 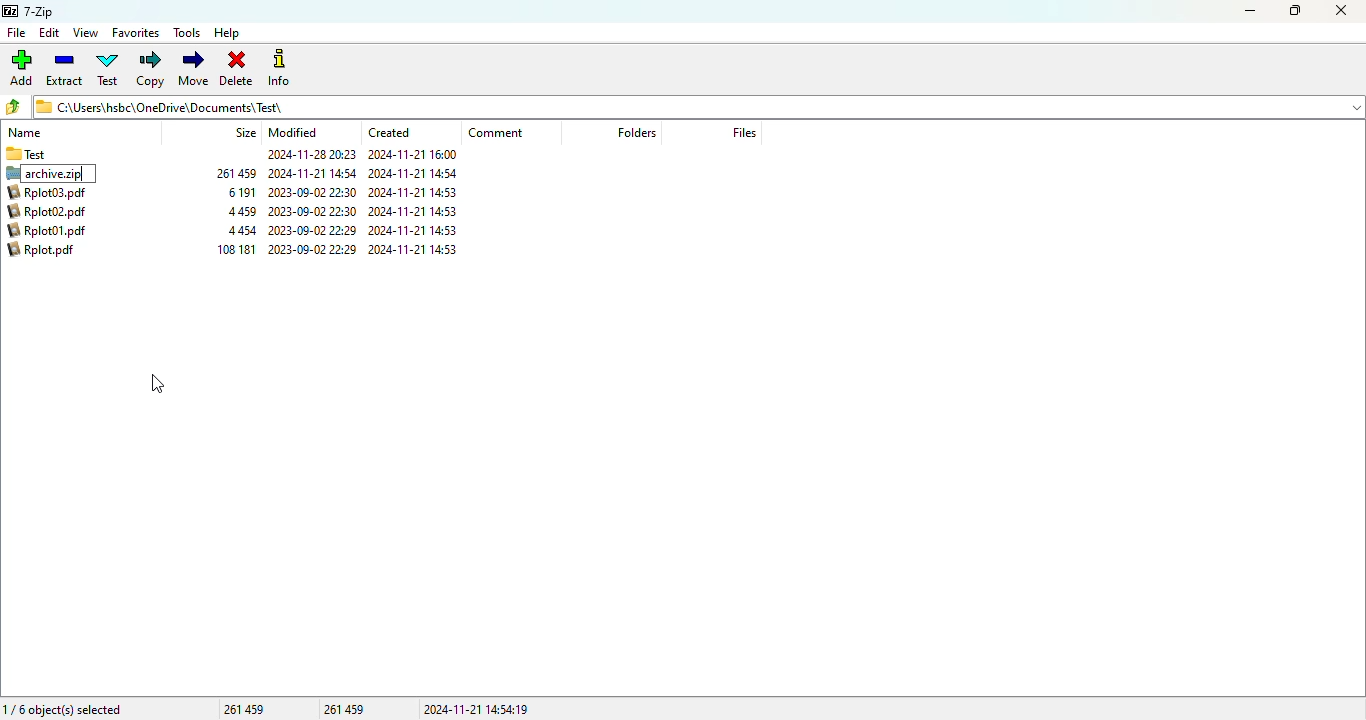 What do you see at coordinates (85, 32) in the screenshot?
I see `view` at bounding box center [85, 32].